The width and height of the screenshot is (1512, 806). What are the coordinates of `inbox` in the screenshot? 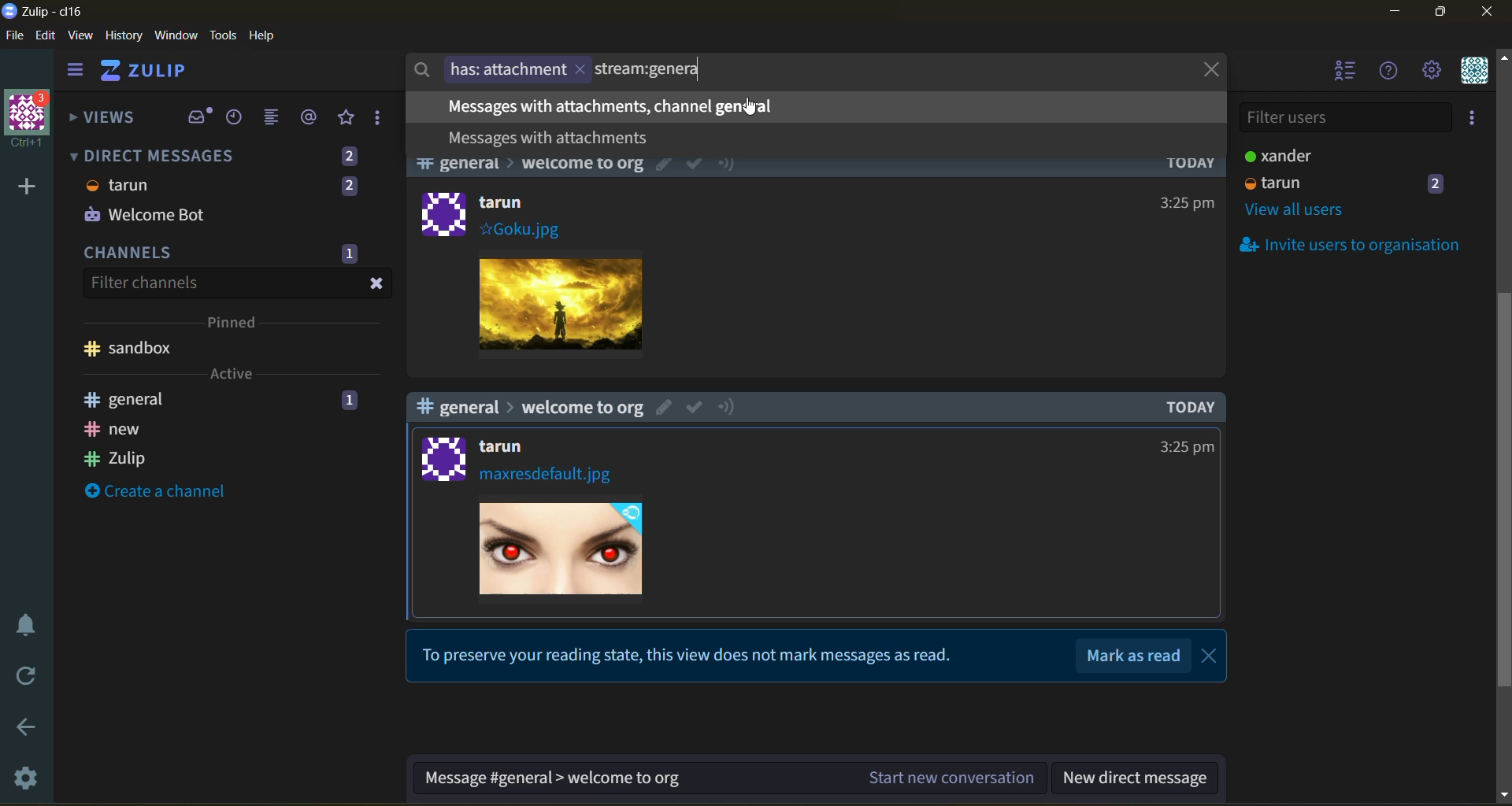 It's located at (198, 116).